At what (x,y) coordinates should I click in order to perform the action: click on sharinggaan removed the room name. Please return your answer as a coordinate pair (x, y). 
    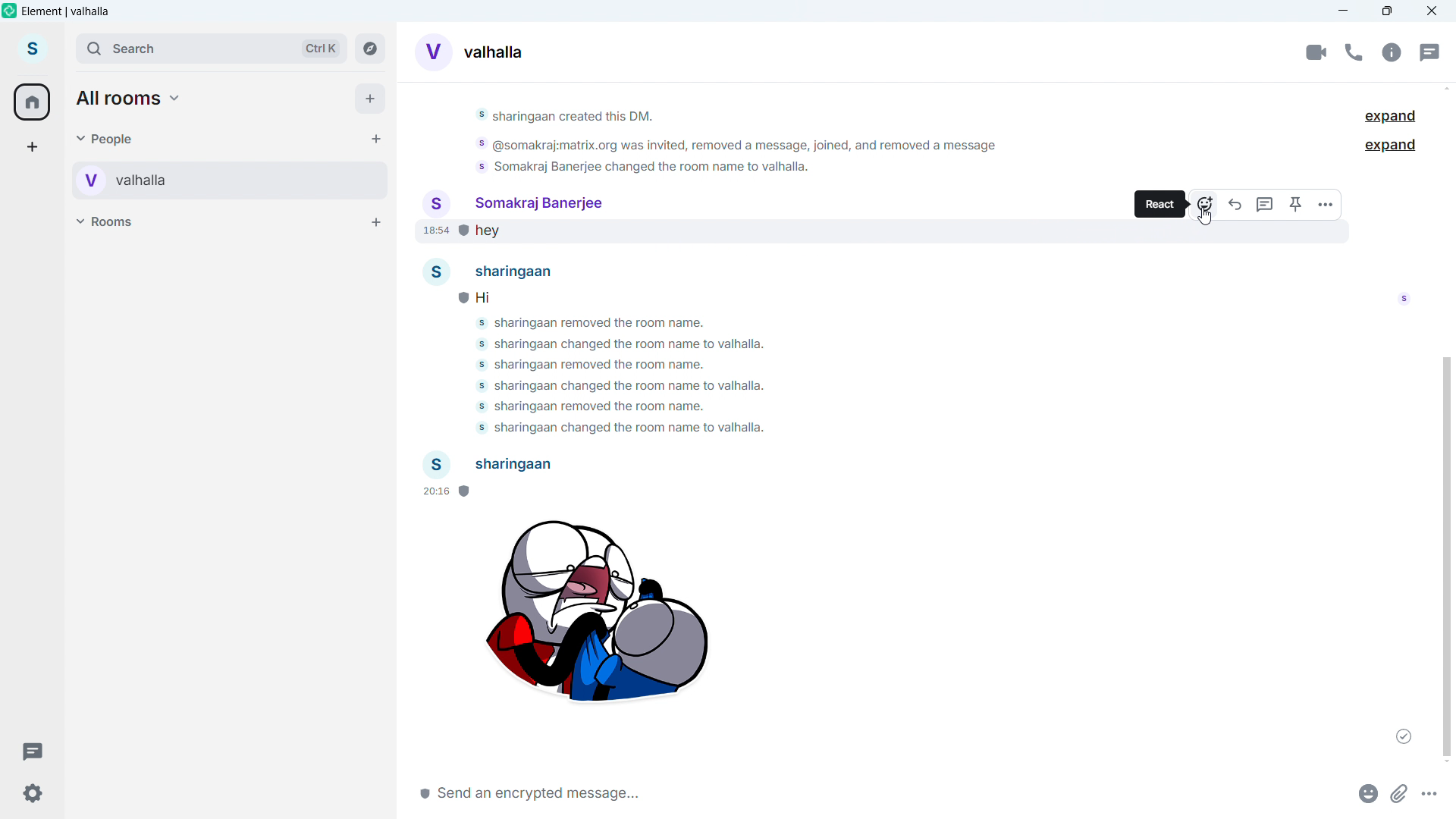
    Looking at the image, I should click on (595, 363).